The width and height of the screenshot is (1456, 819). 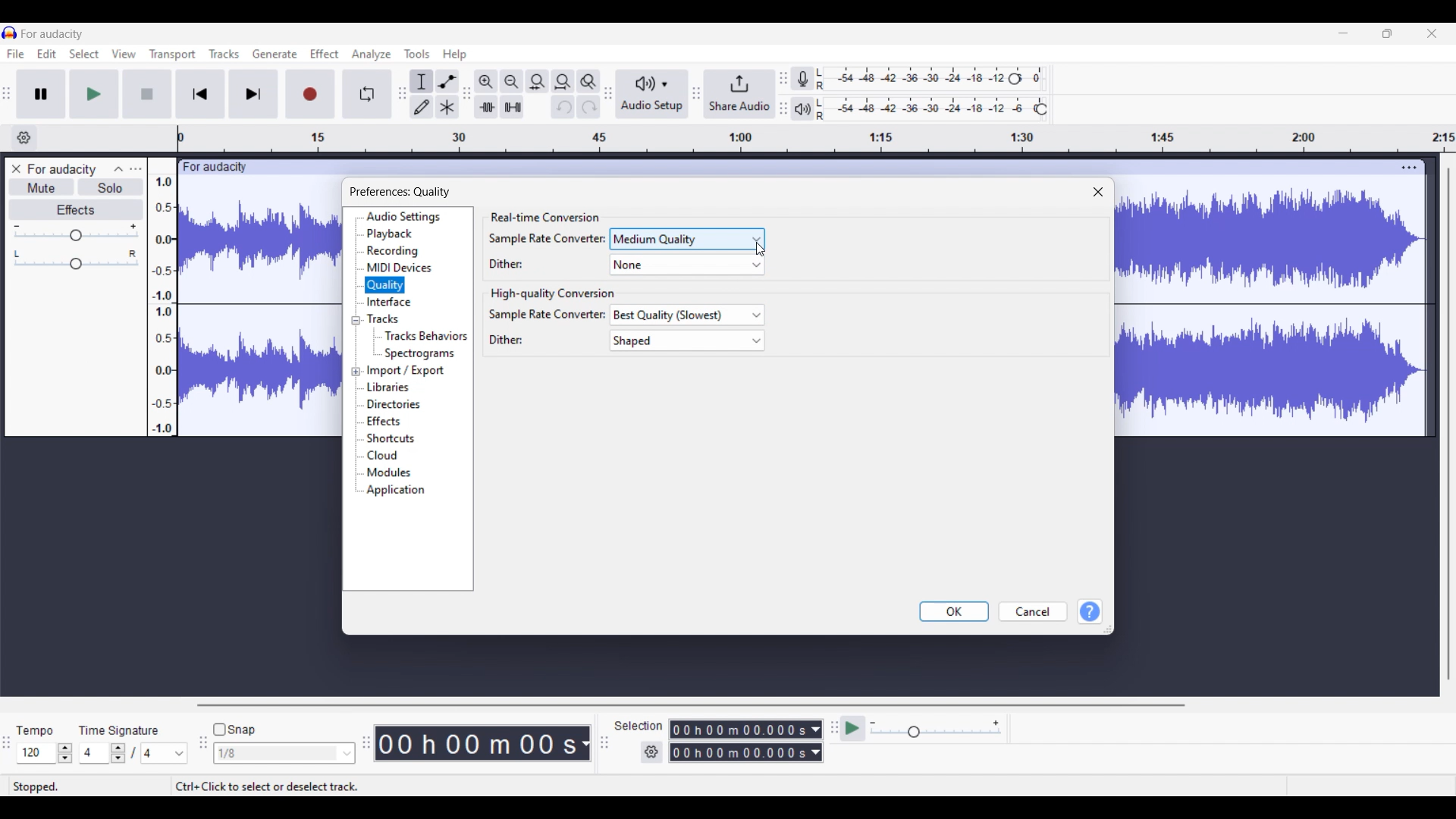 I want to click on audacity, so click(x=212, y=168).